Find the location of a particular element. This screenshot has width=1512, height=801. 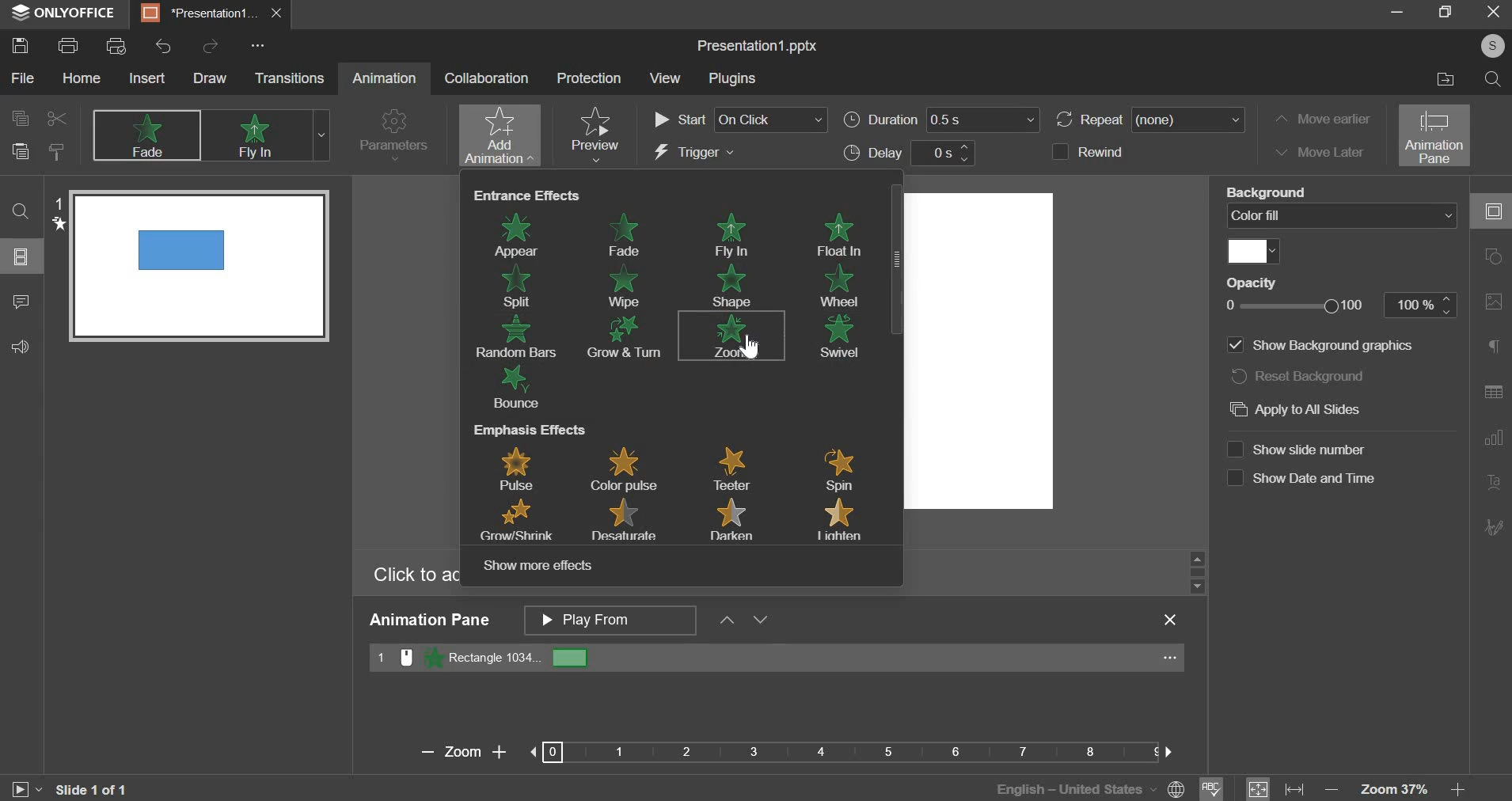

none is located at coordinates (146, 134).